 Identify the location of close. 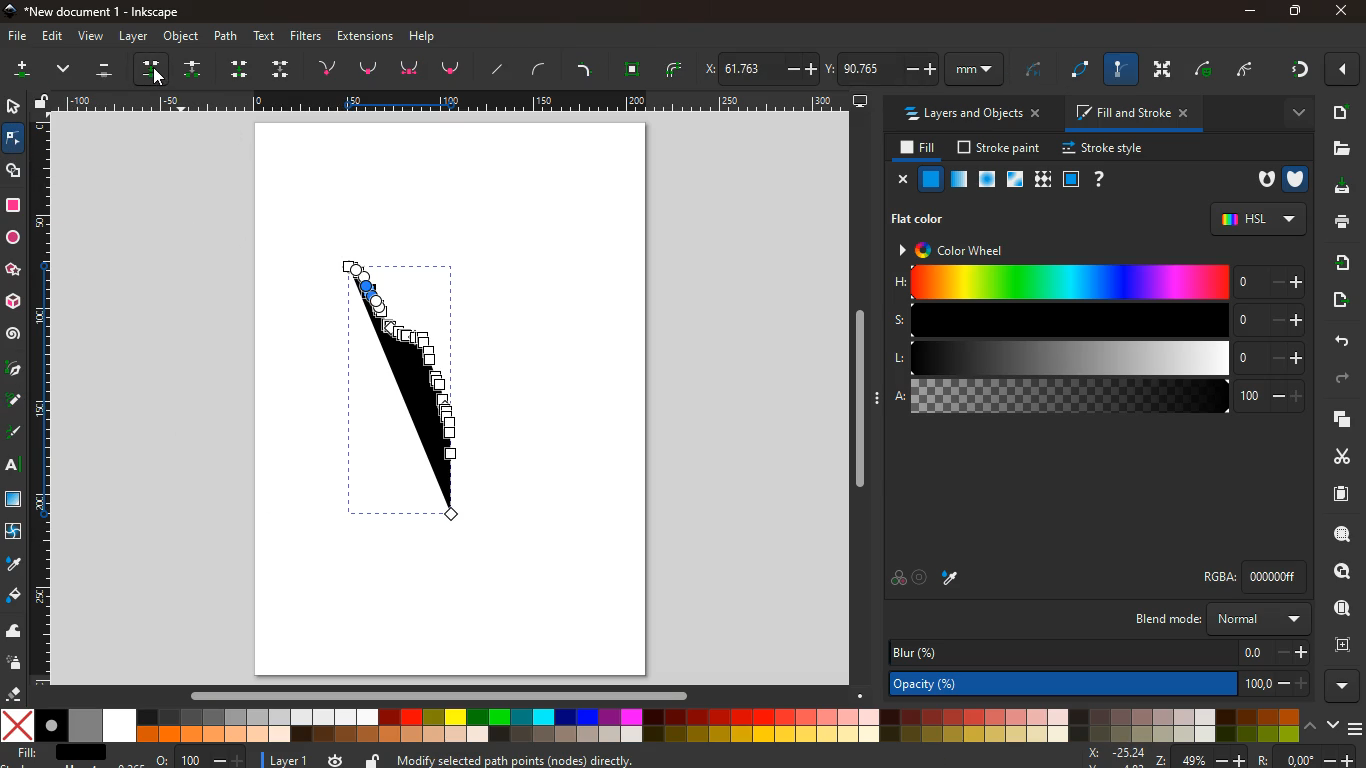
(1345, 70).